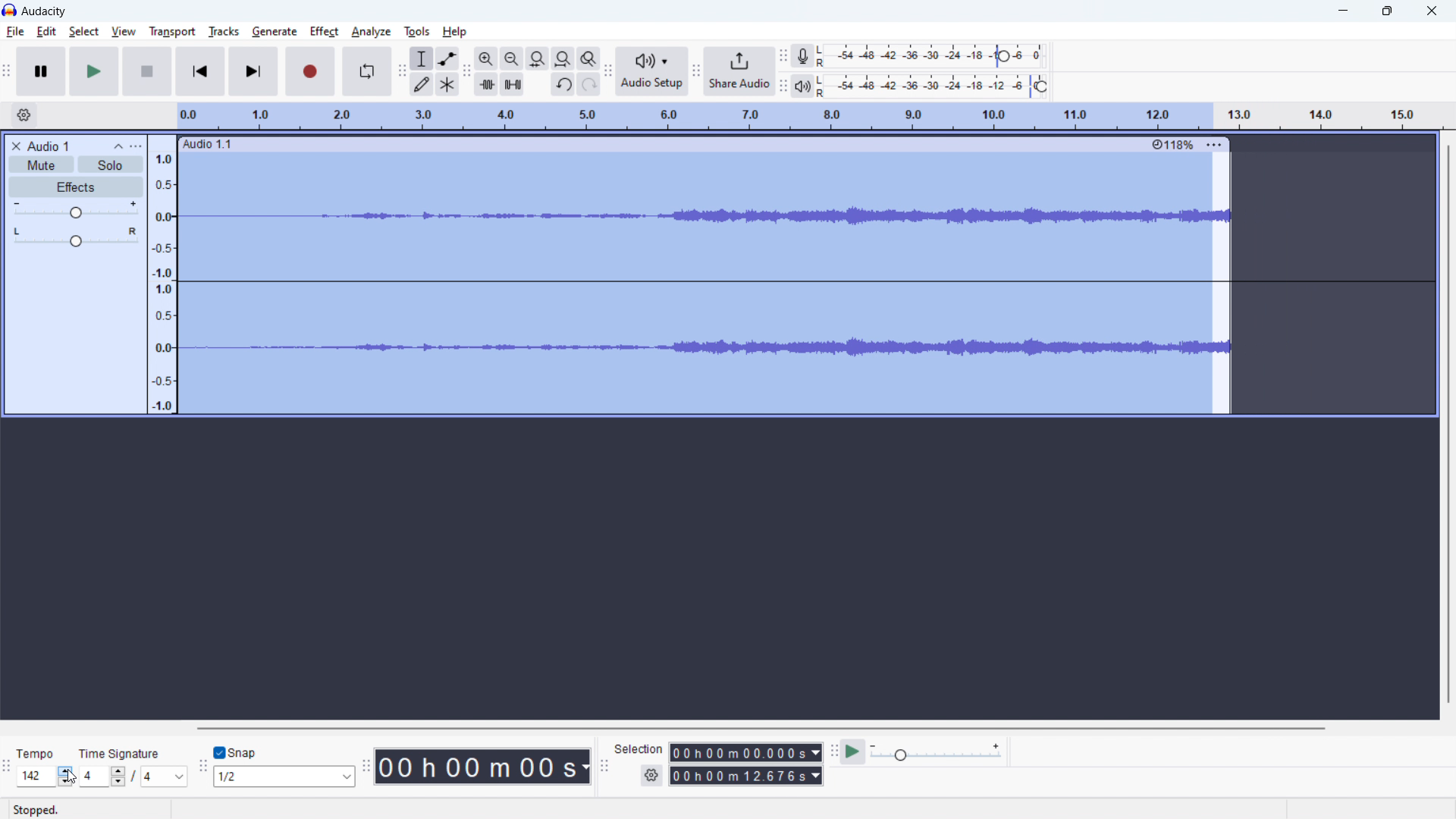  I want to click on play at speed toolbar, so click(833, 752).